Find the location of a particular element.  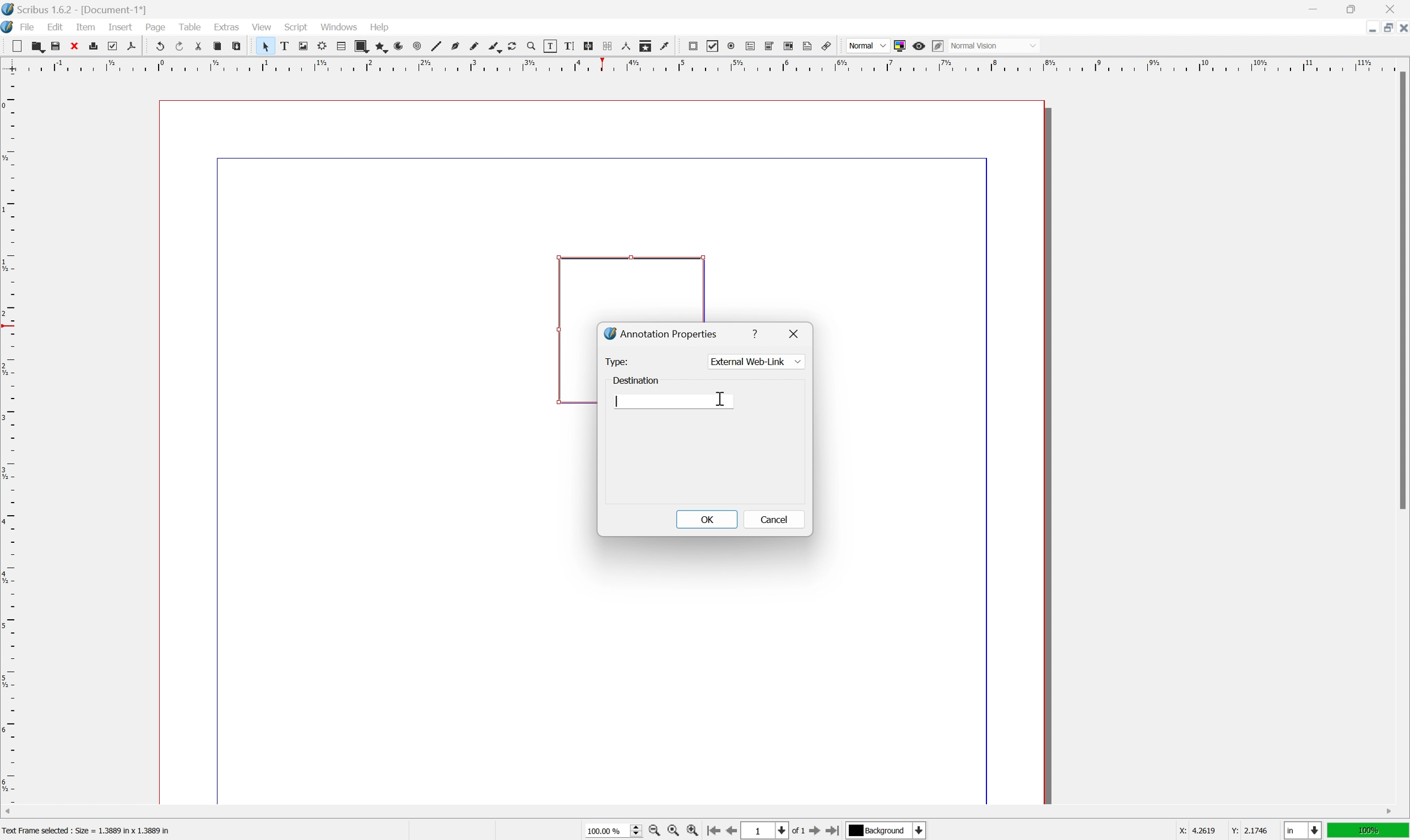

close is located at coordinates (1391, 9).